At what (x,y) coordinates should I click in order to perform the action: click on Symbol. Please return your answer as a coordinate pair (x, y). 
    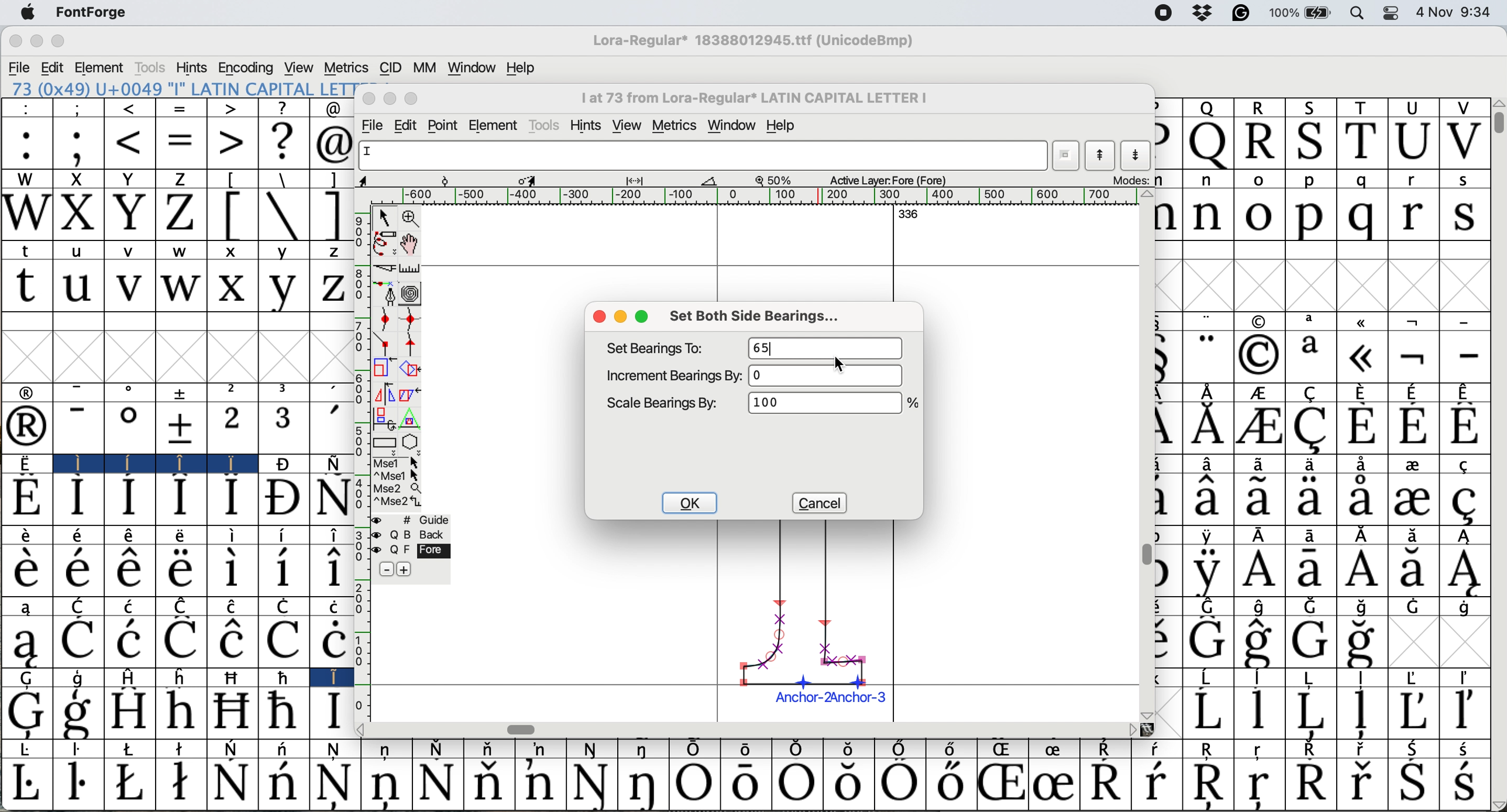
    Looking at the image, I should click on (1261, 787).